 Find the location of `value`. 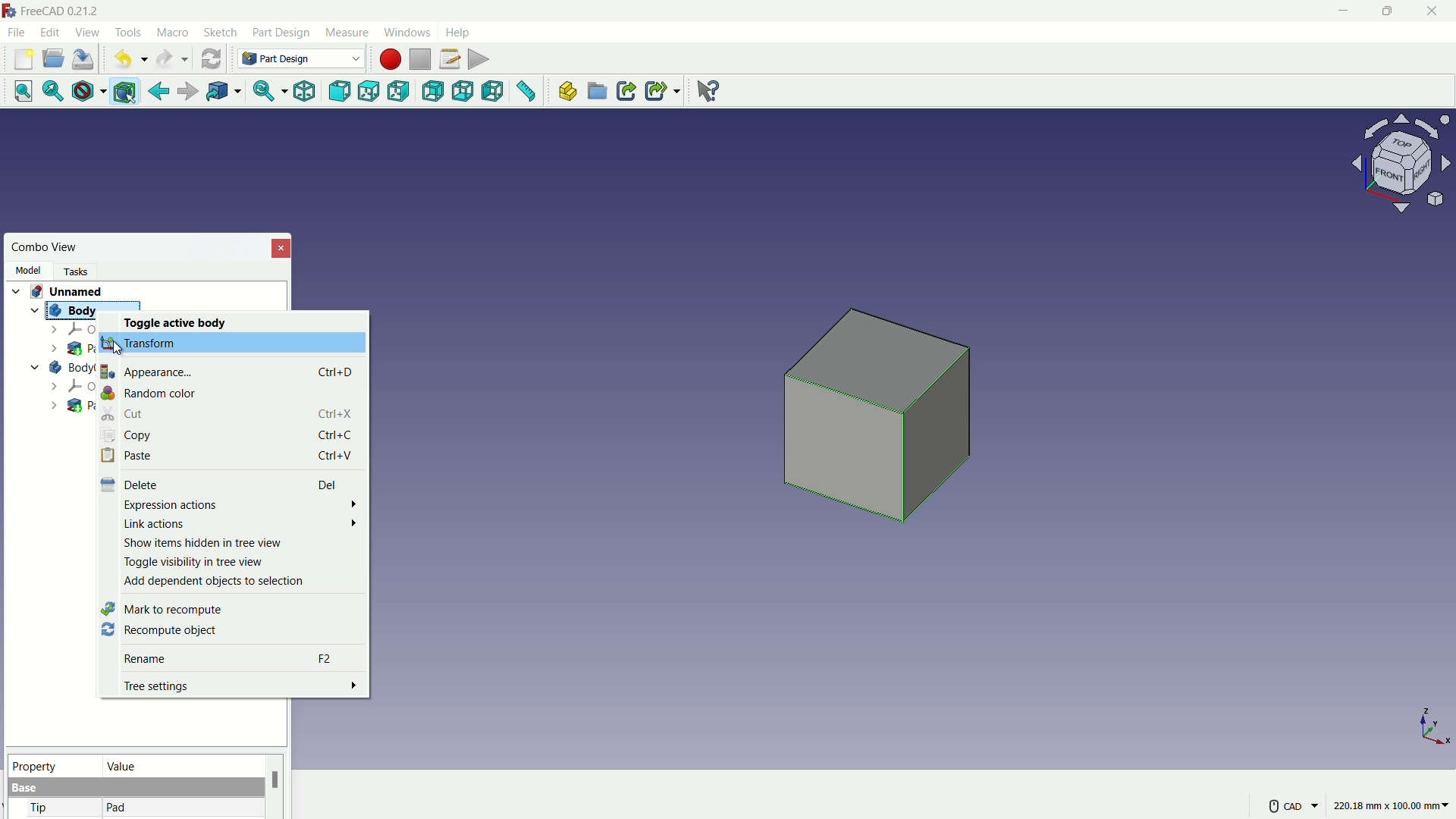

value is located at coordinates (180, 765).